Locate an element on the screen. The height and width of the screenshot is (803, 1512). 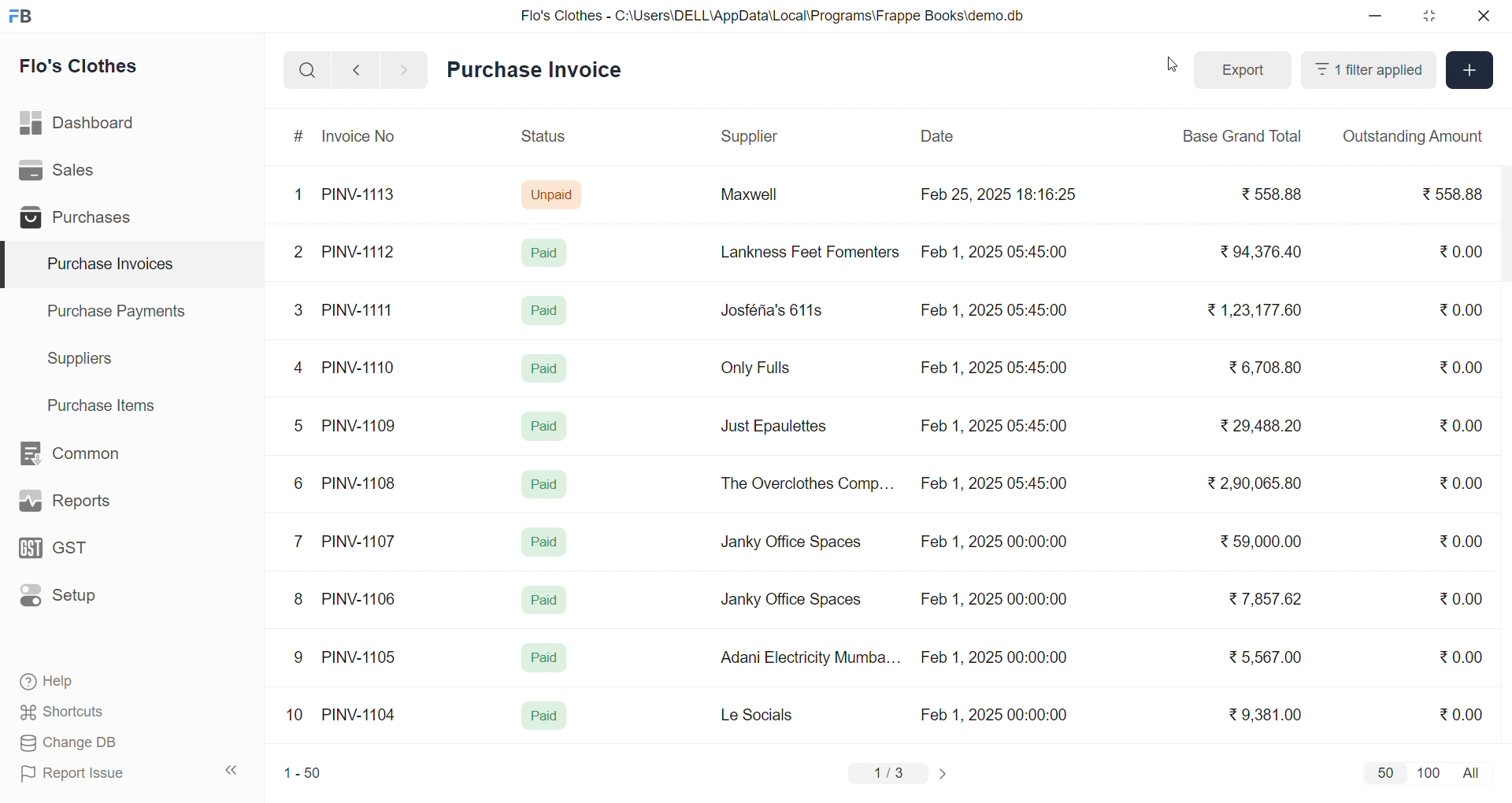
Paid is located at coordinates (545, 600).